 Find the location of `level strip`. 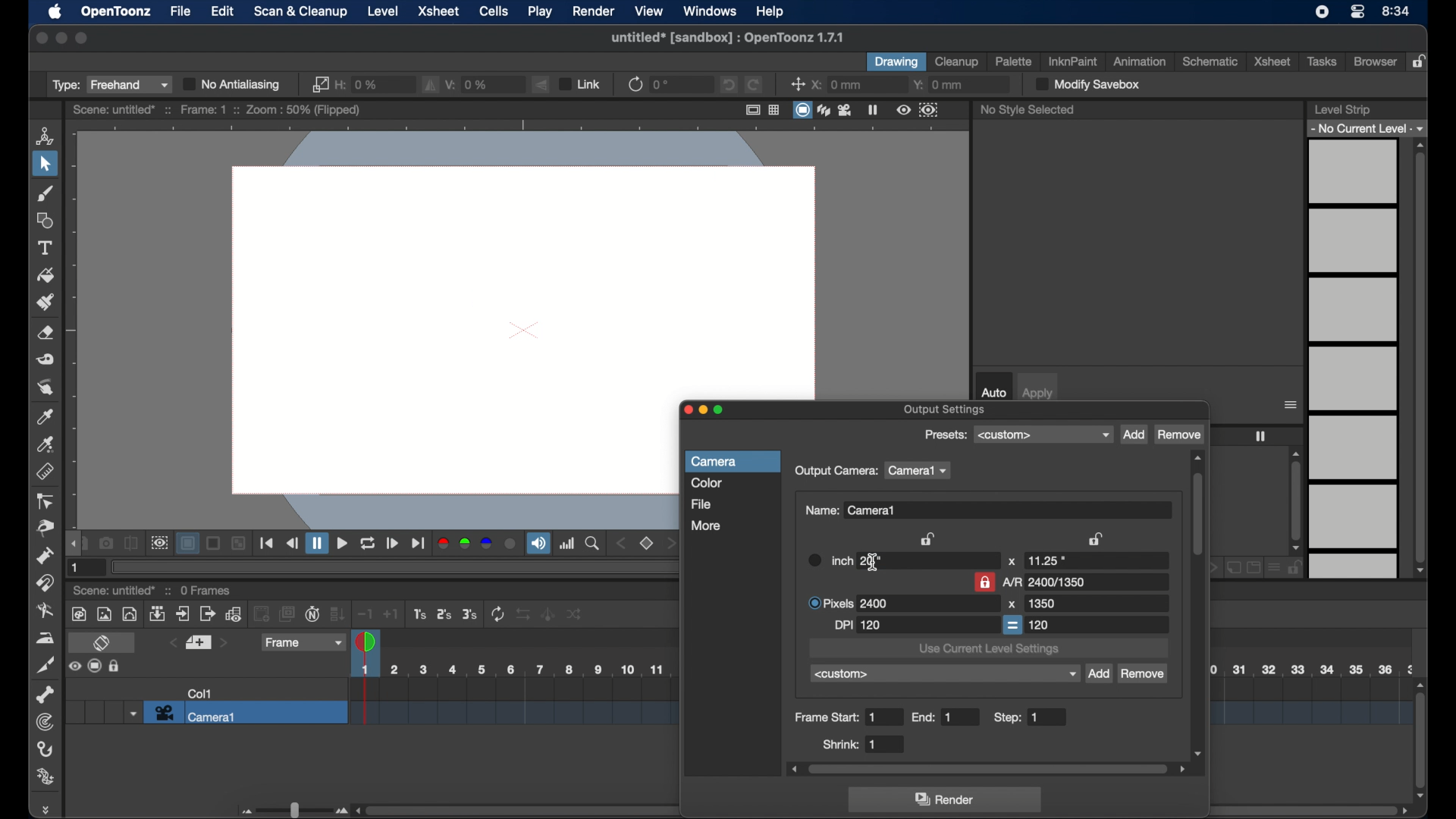

level strip is located at coordinates (1341, 109).